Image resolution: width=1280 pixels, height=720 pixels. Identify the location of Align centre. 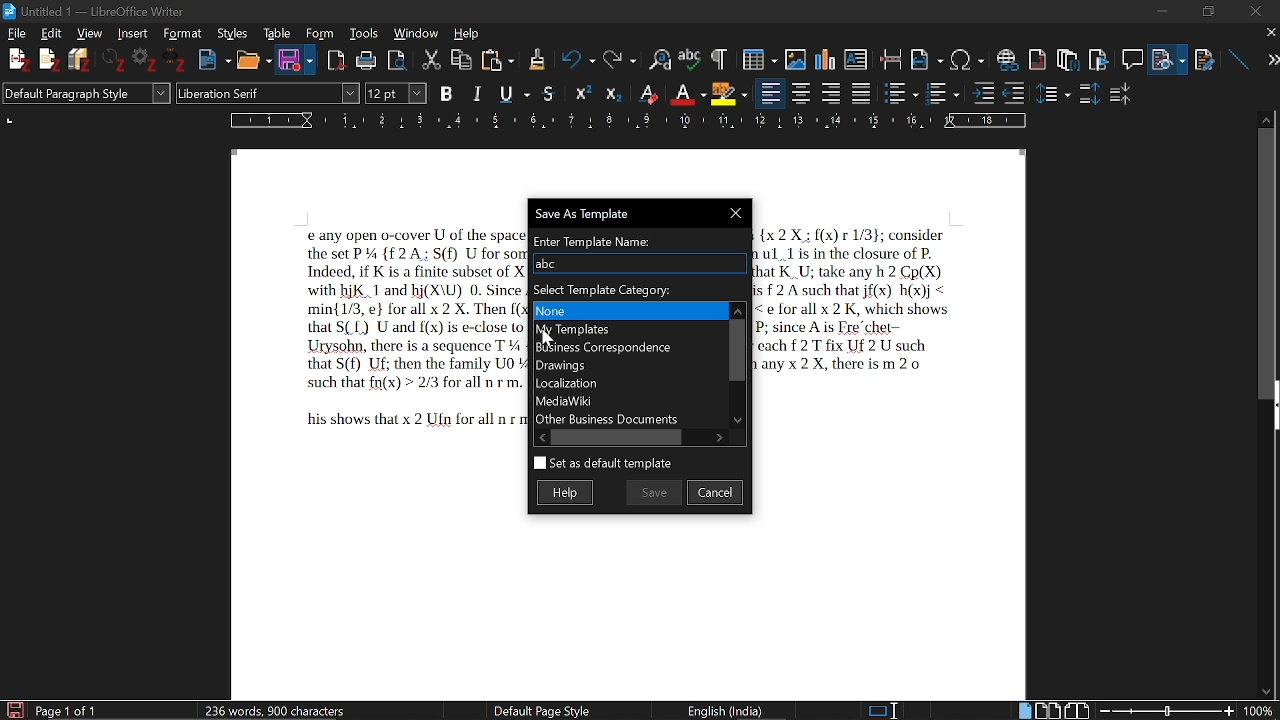
(803, 92).